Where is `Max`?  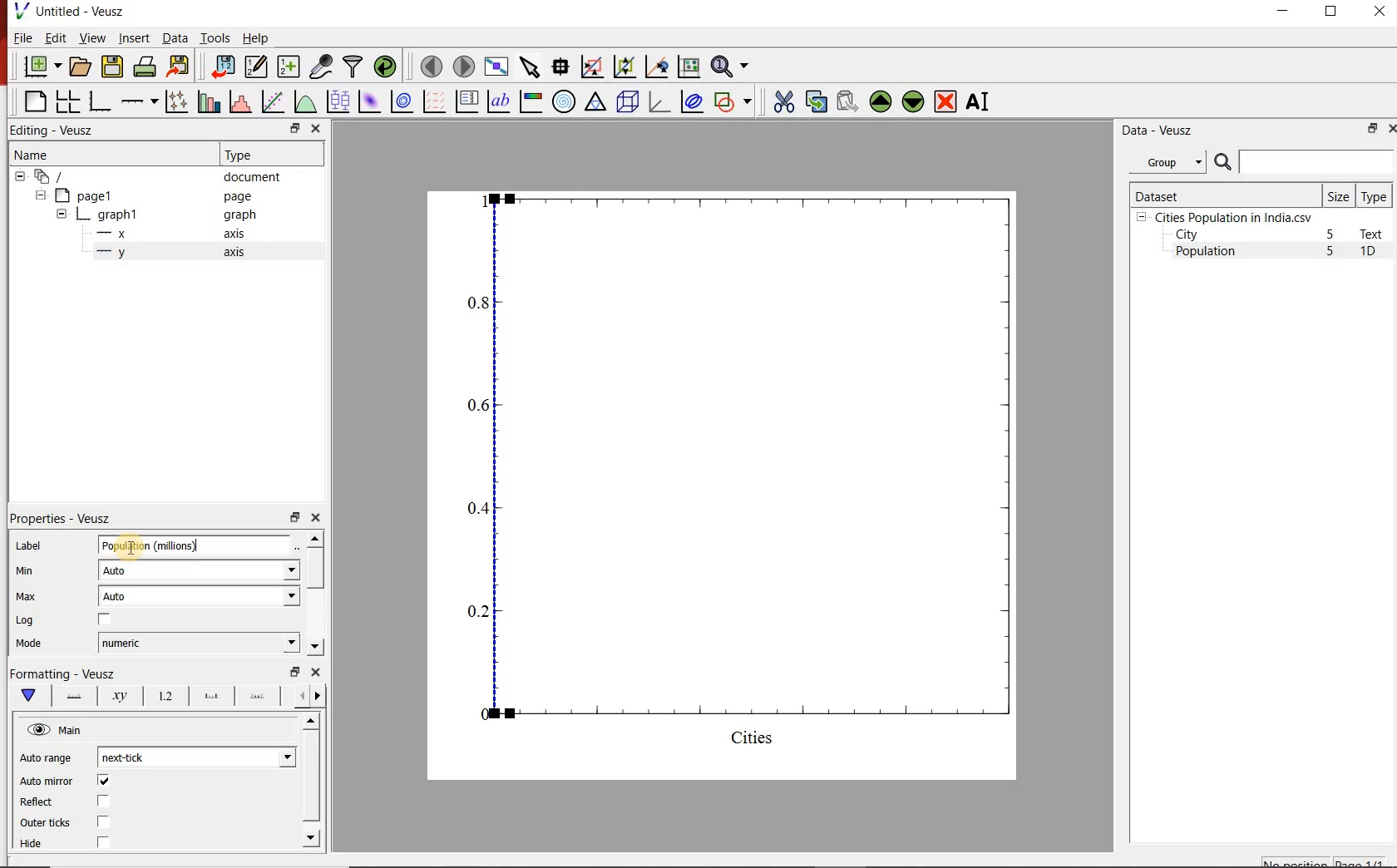
Max is located at coordinates (25, 596).